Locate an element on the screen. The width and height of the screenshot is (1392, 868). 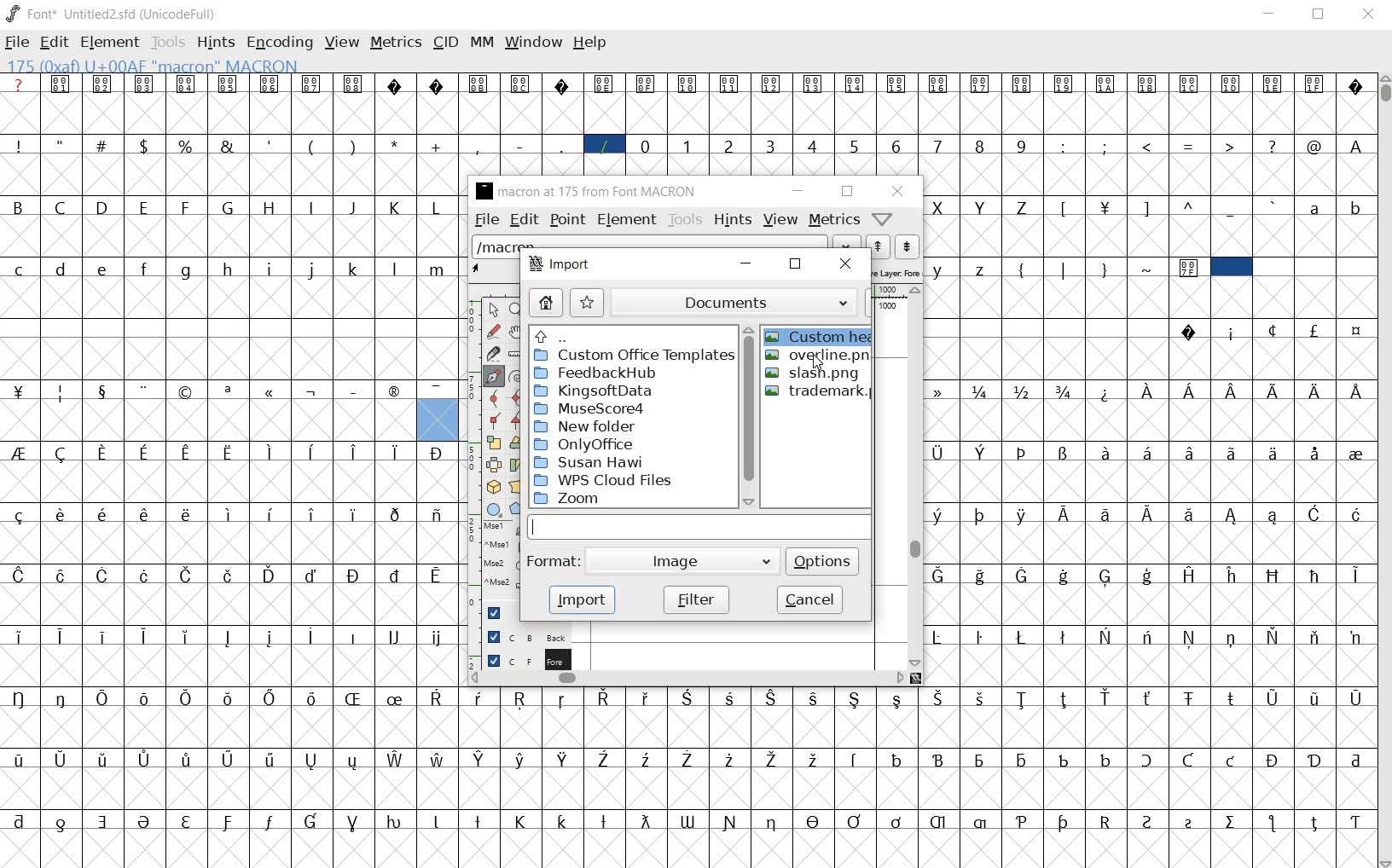
Symbol is located at coordinates (1354, 512).